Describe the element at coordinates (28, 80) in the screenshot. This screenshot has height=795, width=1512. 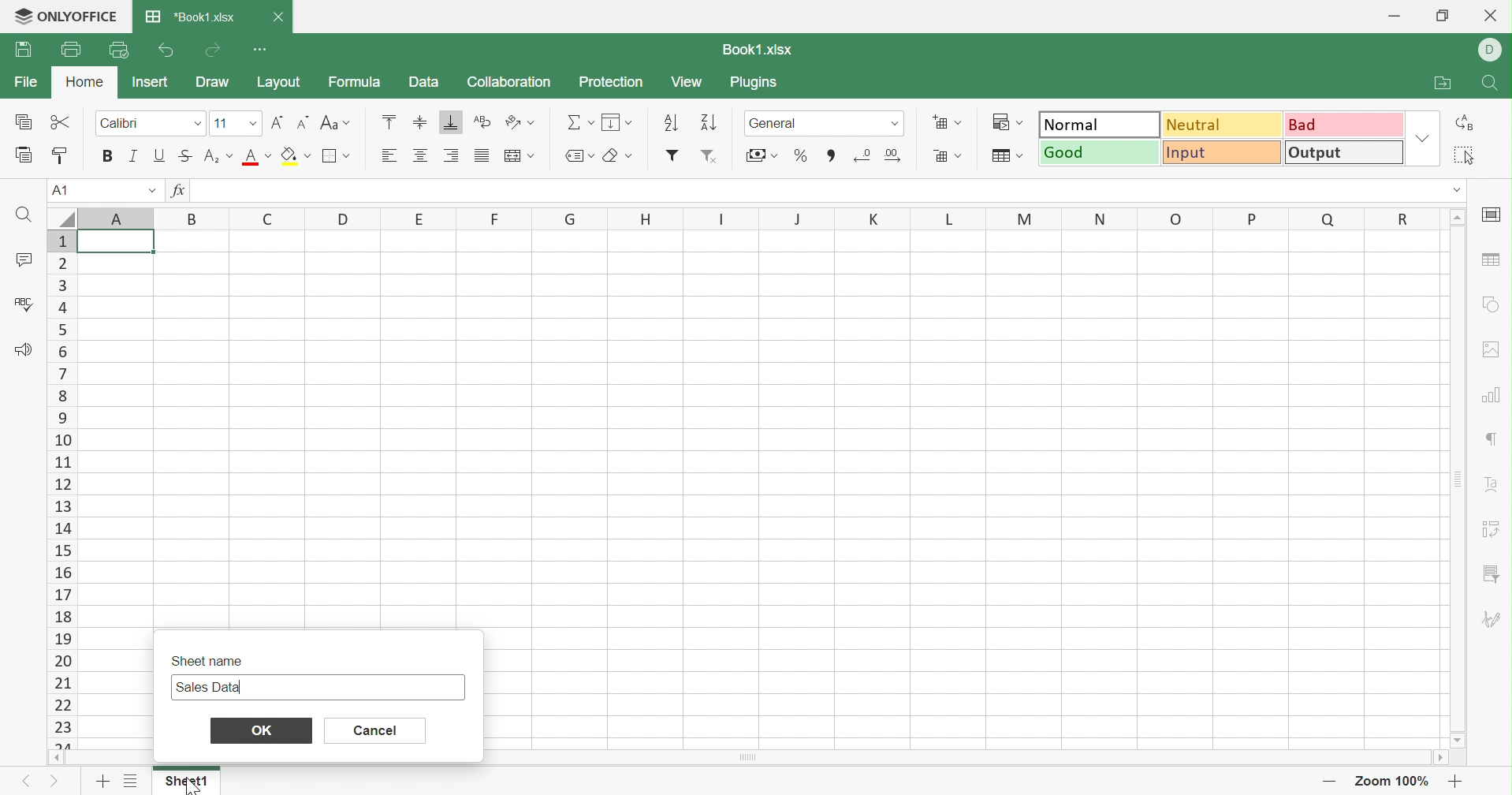
I see `File` at that location.